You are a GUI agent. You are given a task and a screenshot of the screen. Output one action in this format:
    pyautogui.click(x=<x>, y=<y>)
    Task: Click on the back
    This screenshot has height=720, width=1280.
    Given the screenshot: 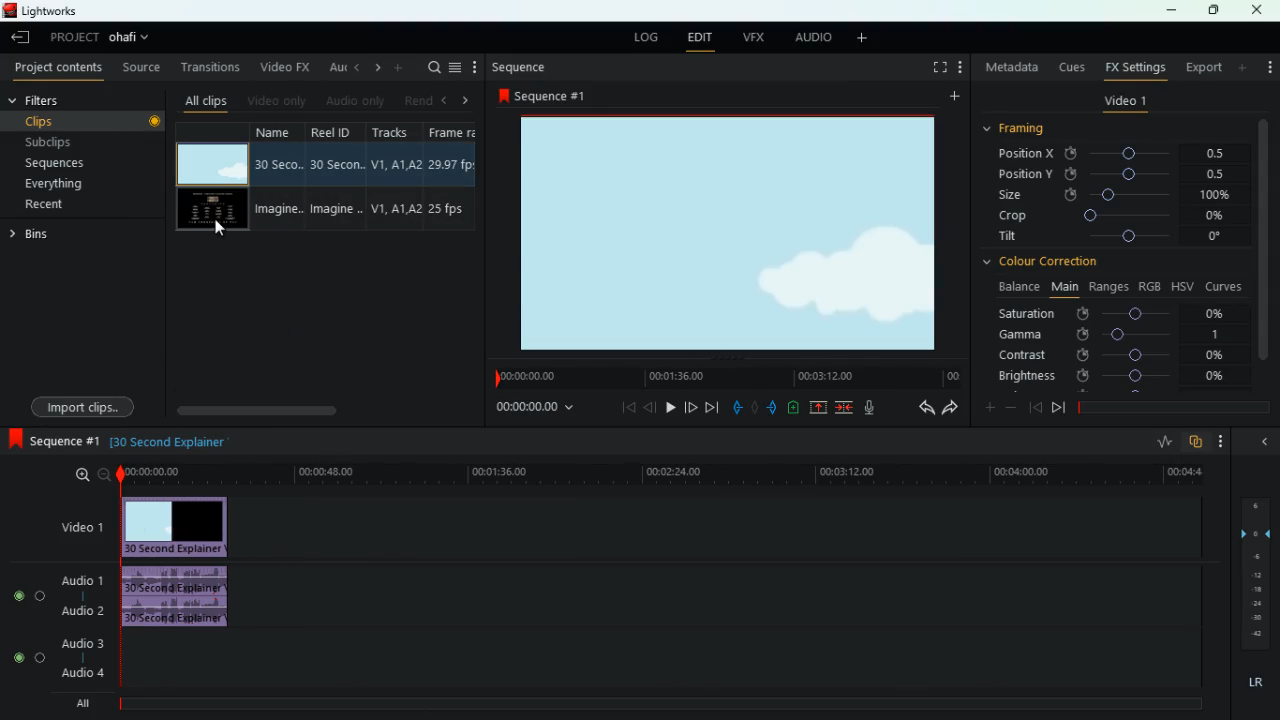 What is the action you would take?
    pyautogui.click(x=23, y=39)
    